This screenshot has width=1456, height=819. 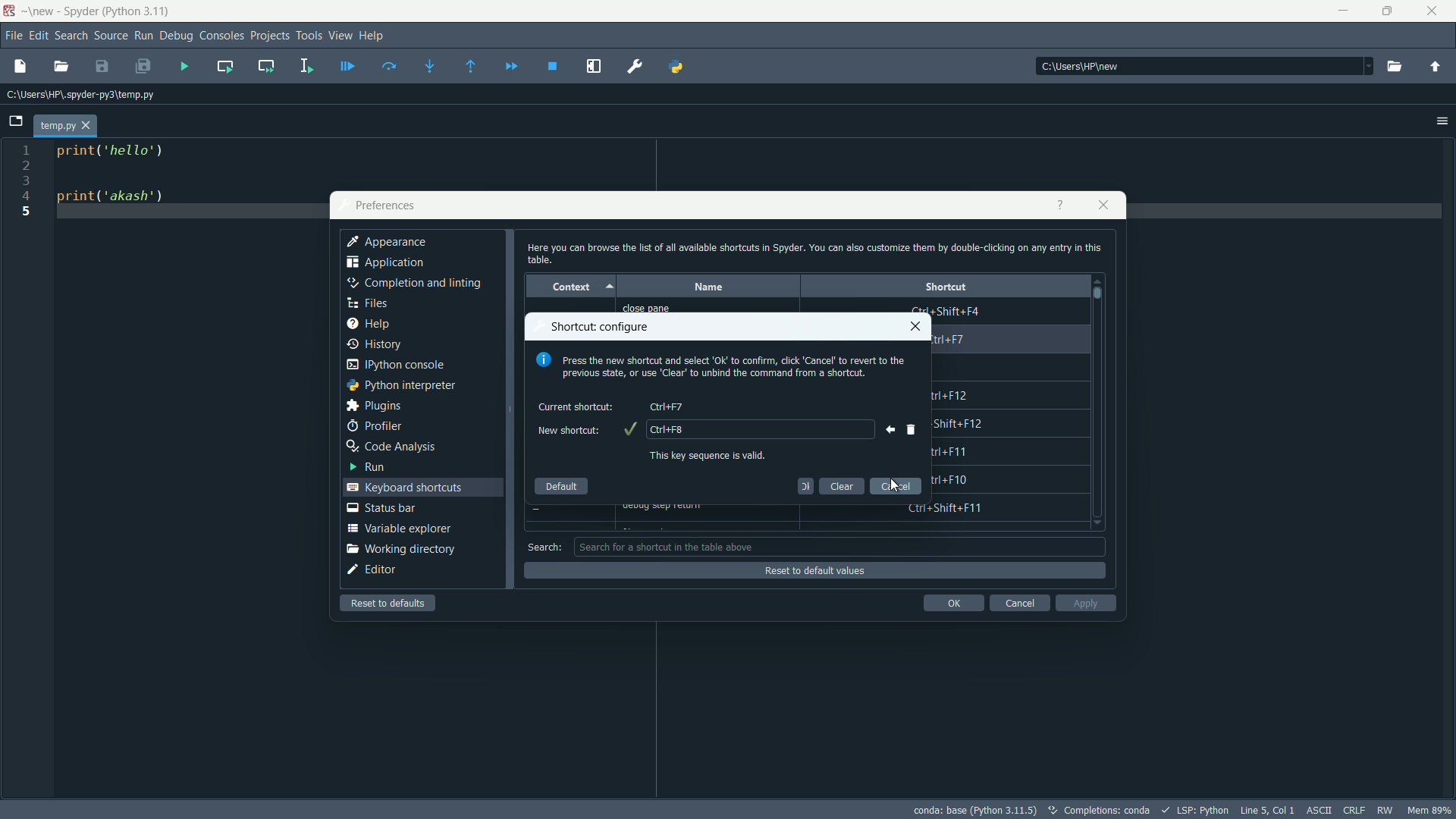 I want to click on editor, so click(x=372, y=570).